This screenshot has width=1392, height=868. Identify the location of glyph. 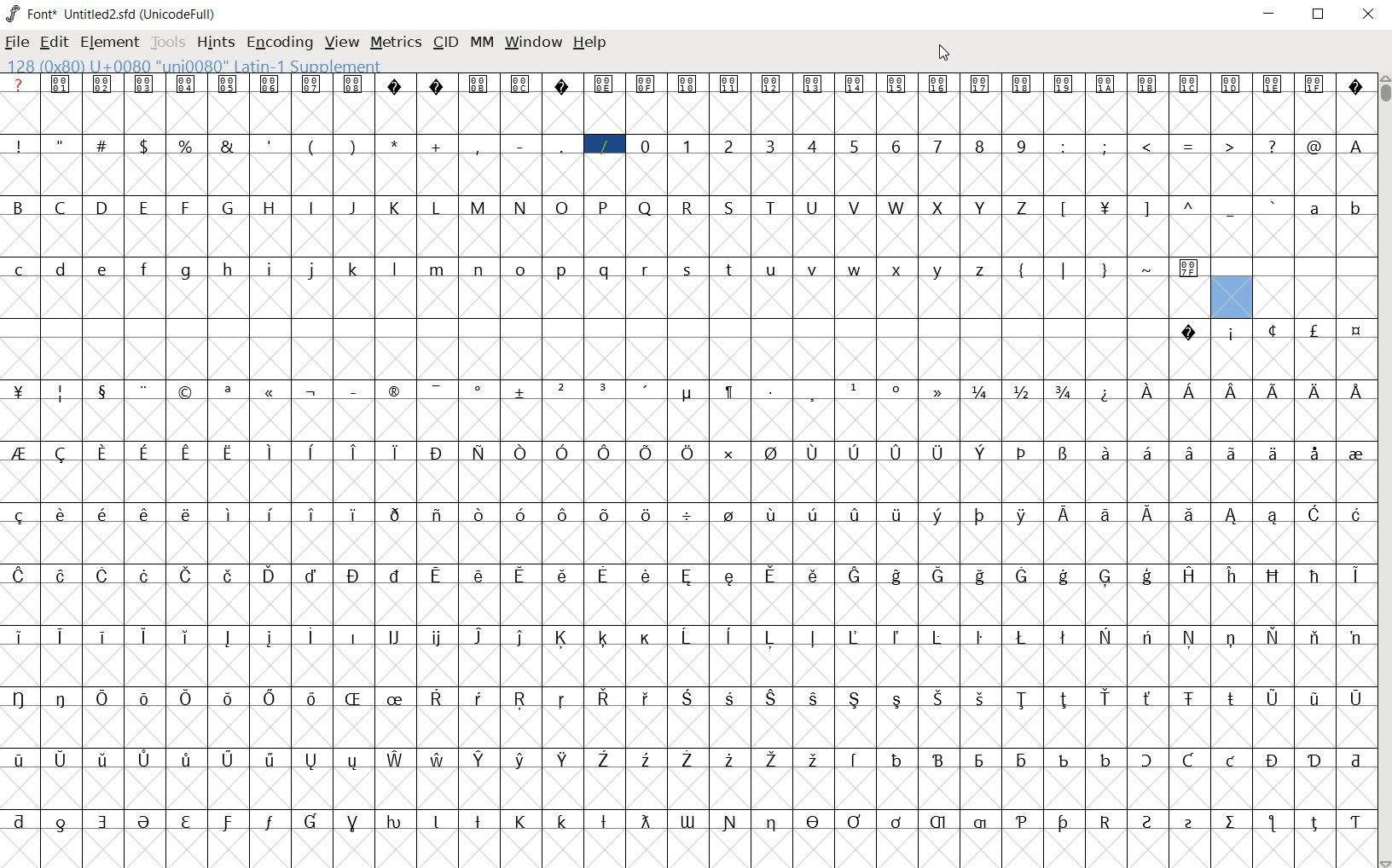
(645, 698).